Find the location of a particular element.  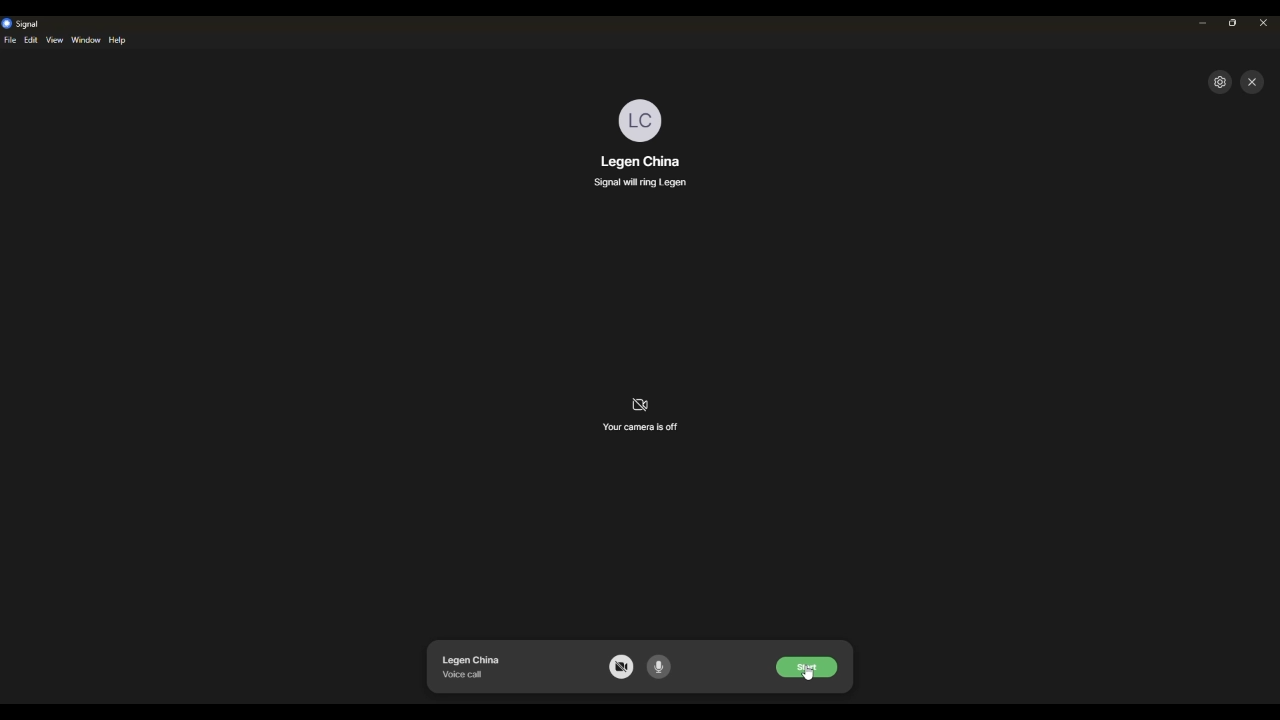

help is located at coordinates (120, 41).